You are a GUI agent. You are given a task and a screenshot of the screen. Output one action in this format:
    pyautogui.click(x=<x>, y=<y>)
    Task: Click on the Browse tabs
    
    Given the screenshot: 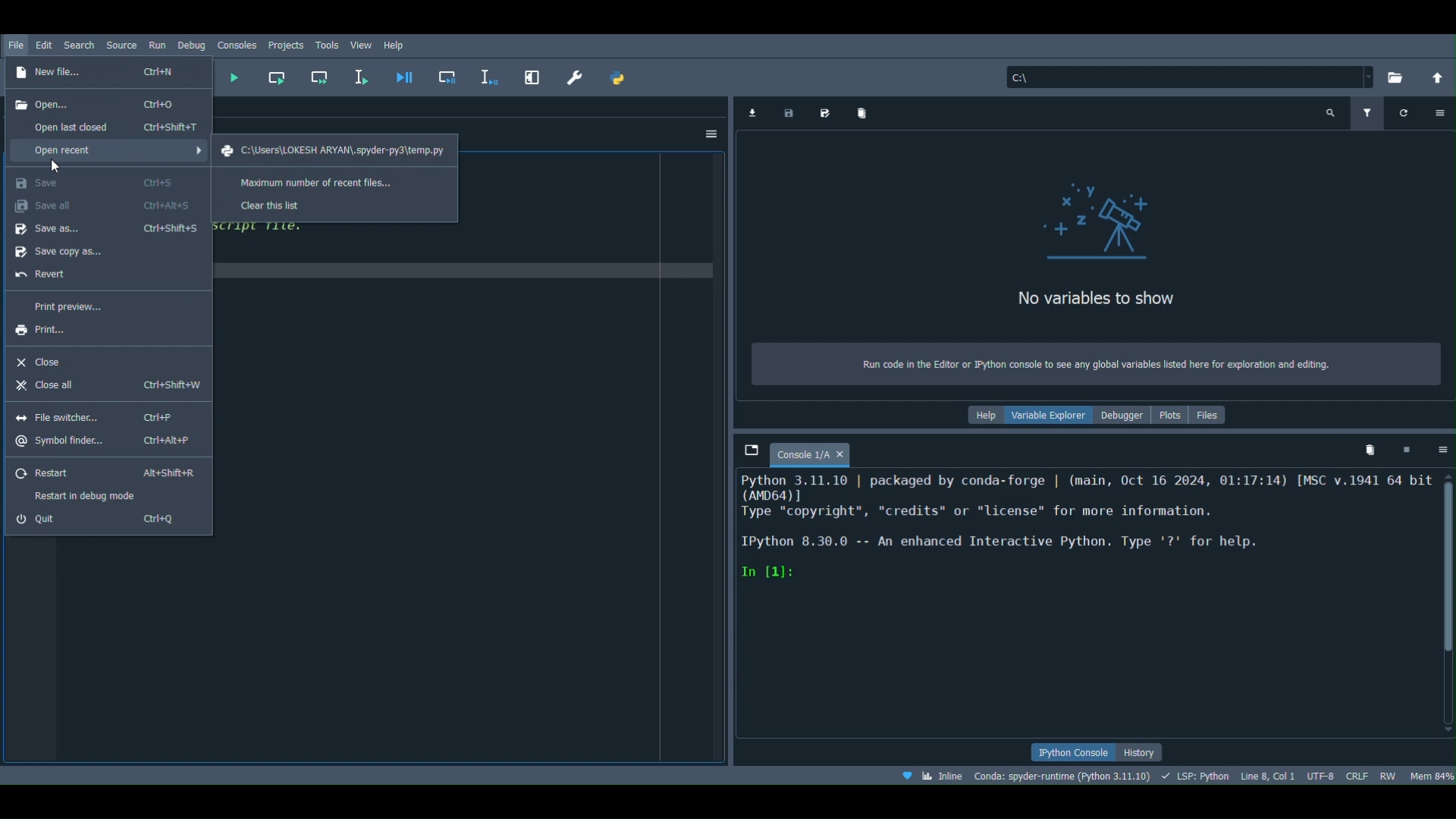 What is the action you would take?
    pyautogui.click(x=749, y=447)
    